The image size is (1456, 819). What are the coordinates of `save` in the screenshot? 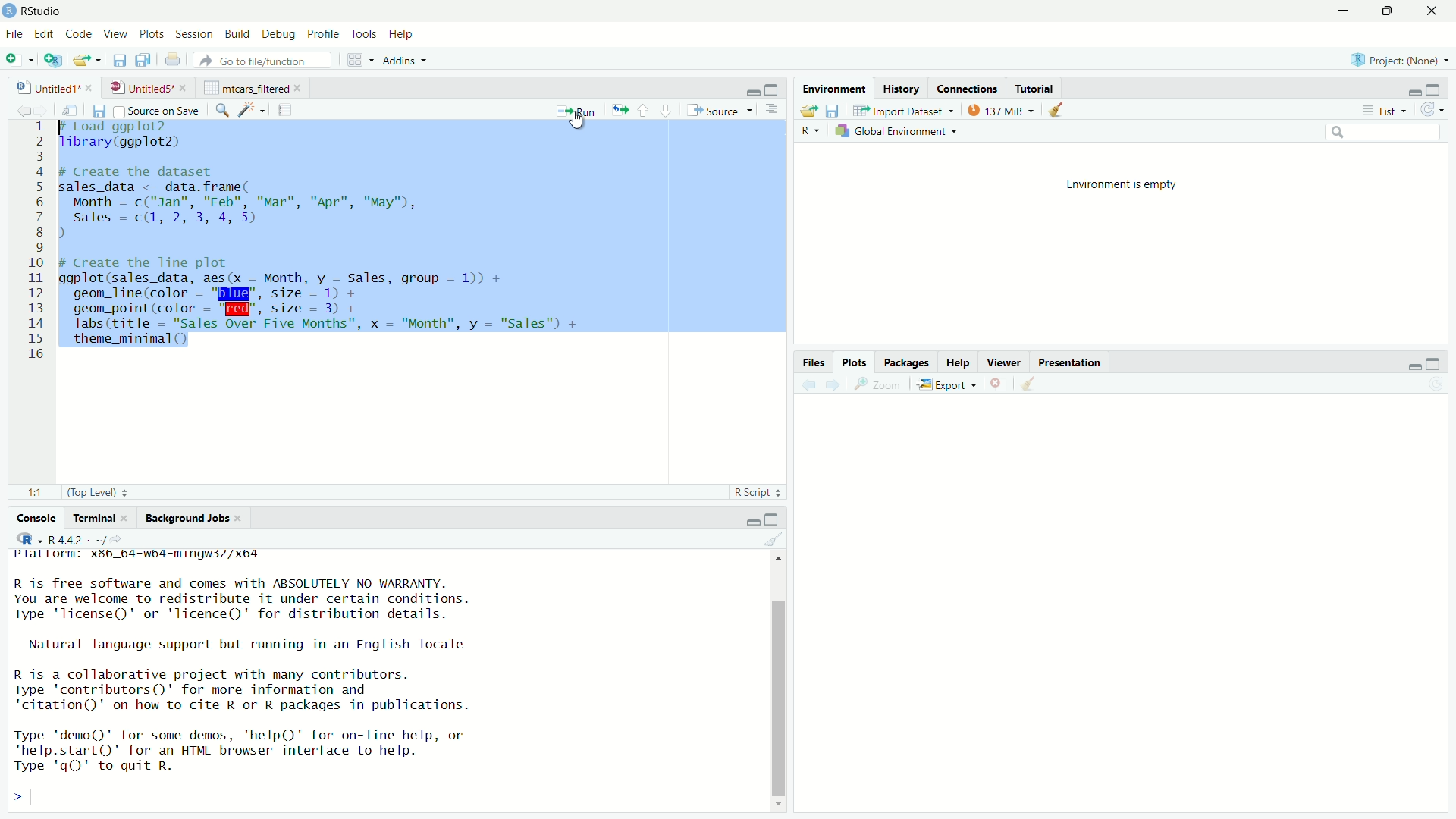 It's located at (101, 111).